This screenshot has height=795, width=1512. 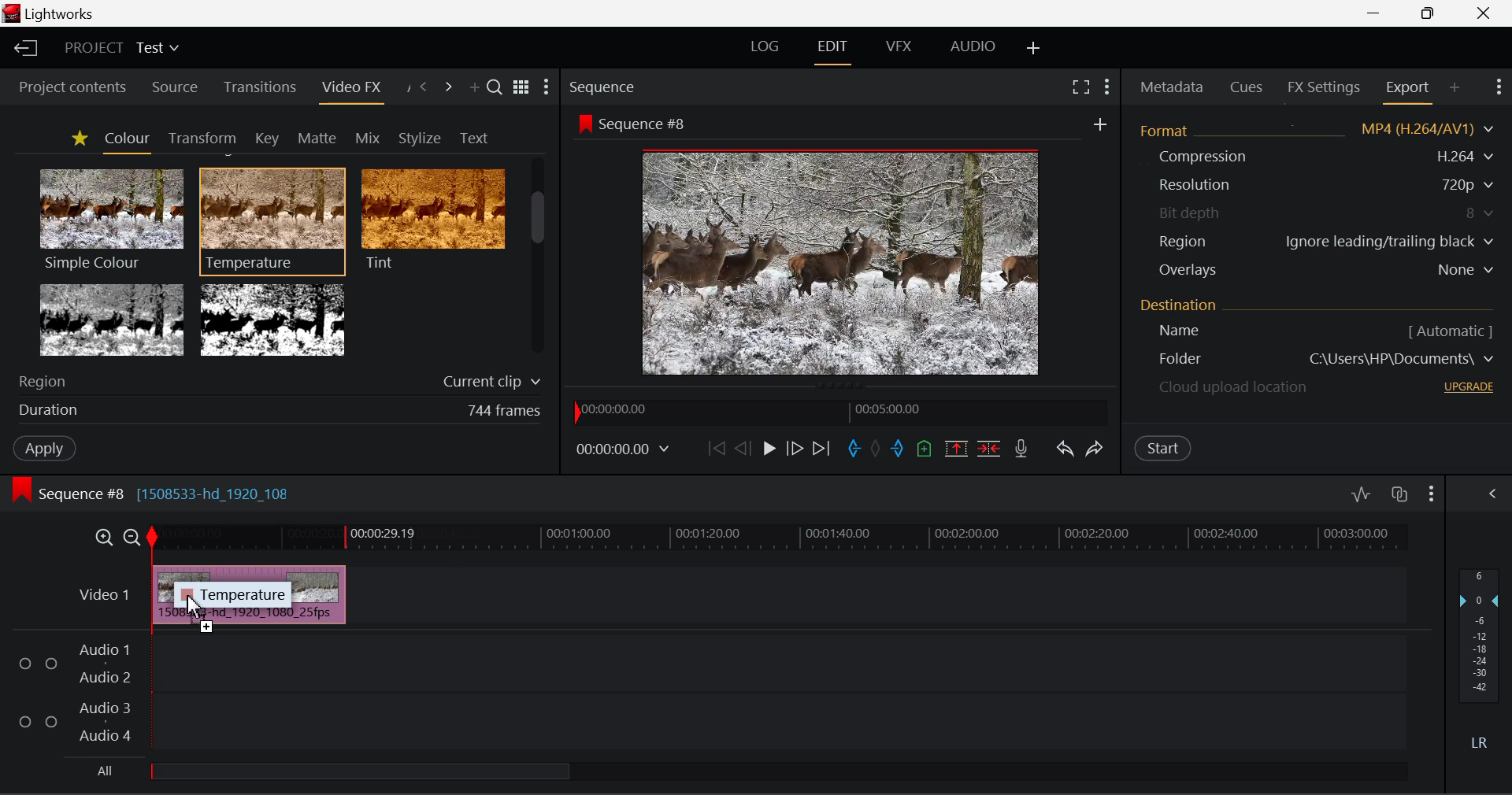 What do you see at coordinates (1360, 492) in the screenshot?
I see `Toggle audio levels editing` at bounding box center [1360, 492].